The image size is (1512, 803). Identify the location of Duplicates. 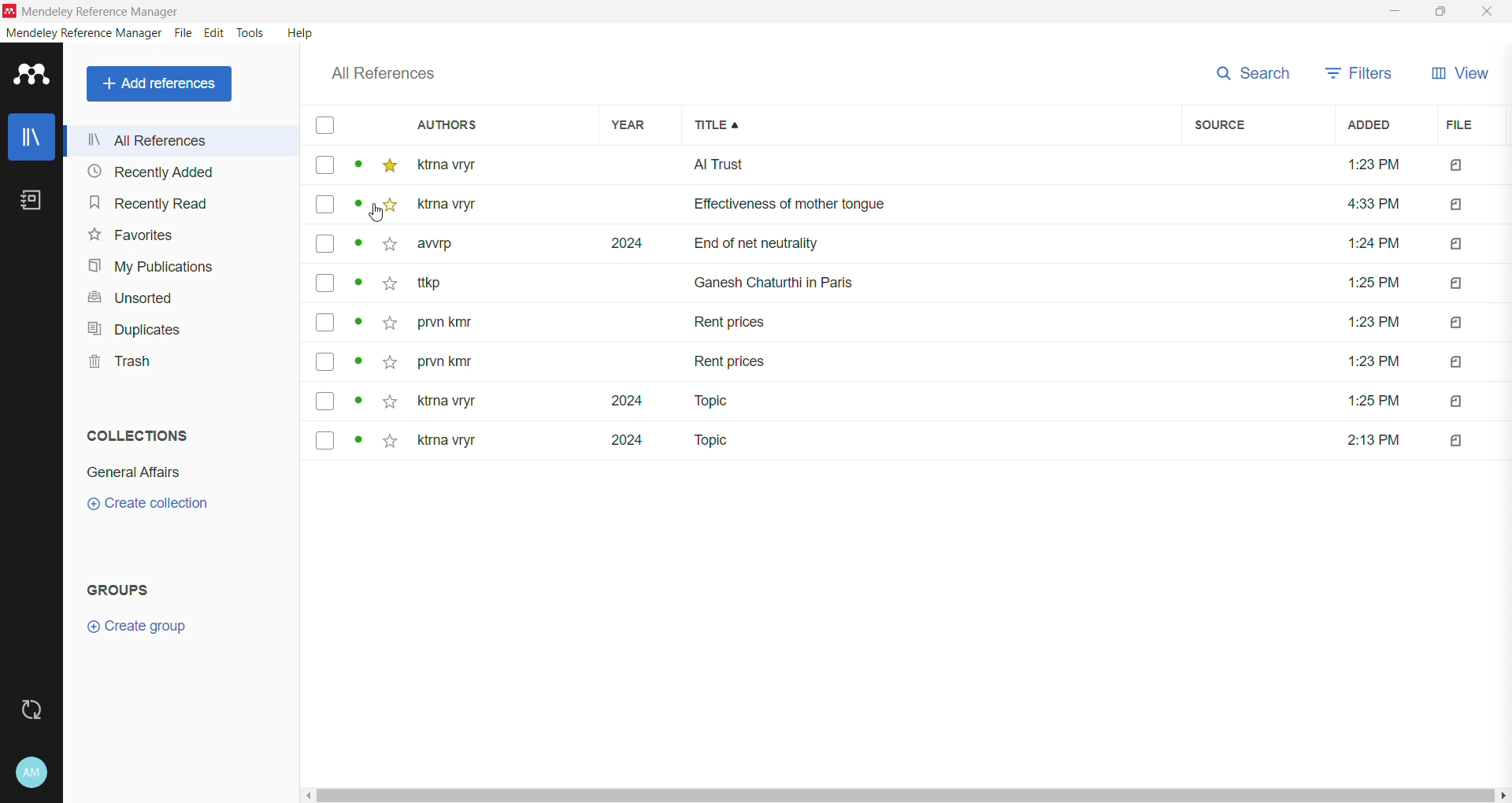
(135, 329).